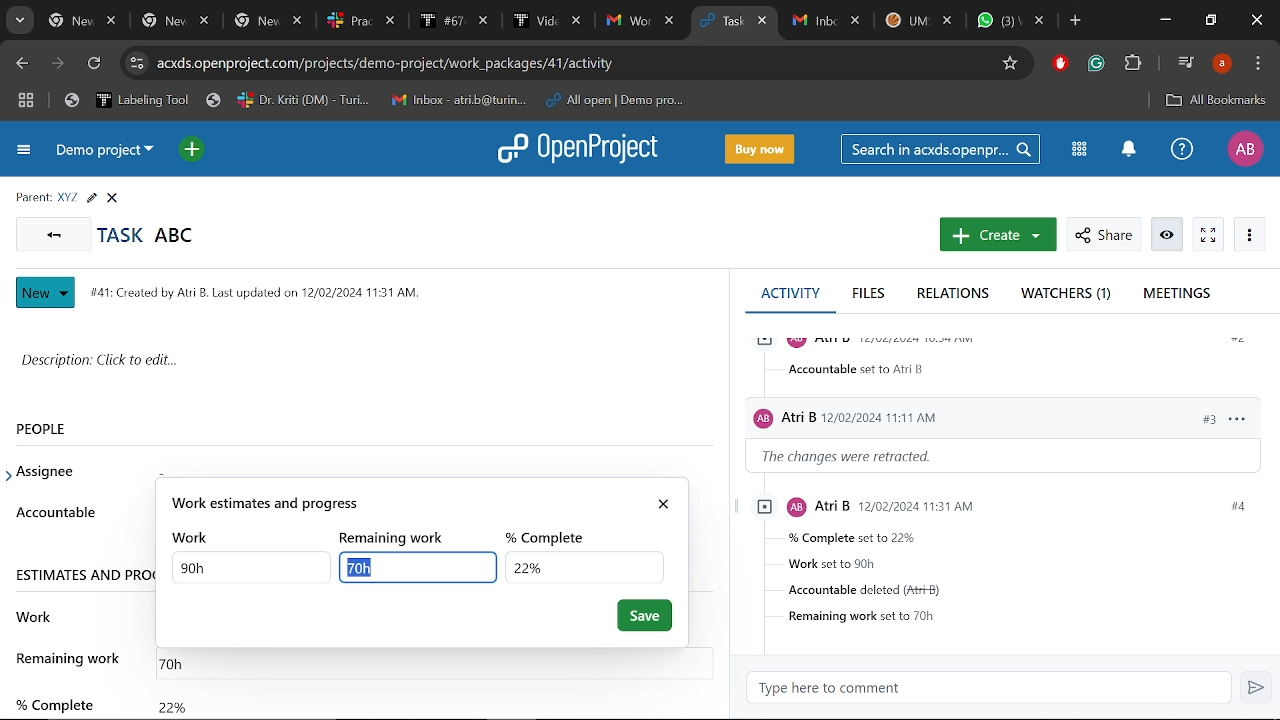 The image size is (1280, 720). What do you see at coordinates (1126, 150) in the screenshot?
I see `Notification center` at bounding box center [1126, 150].